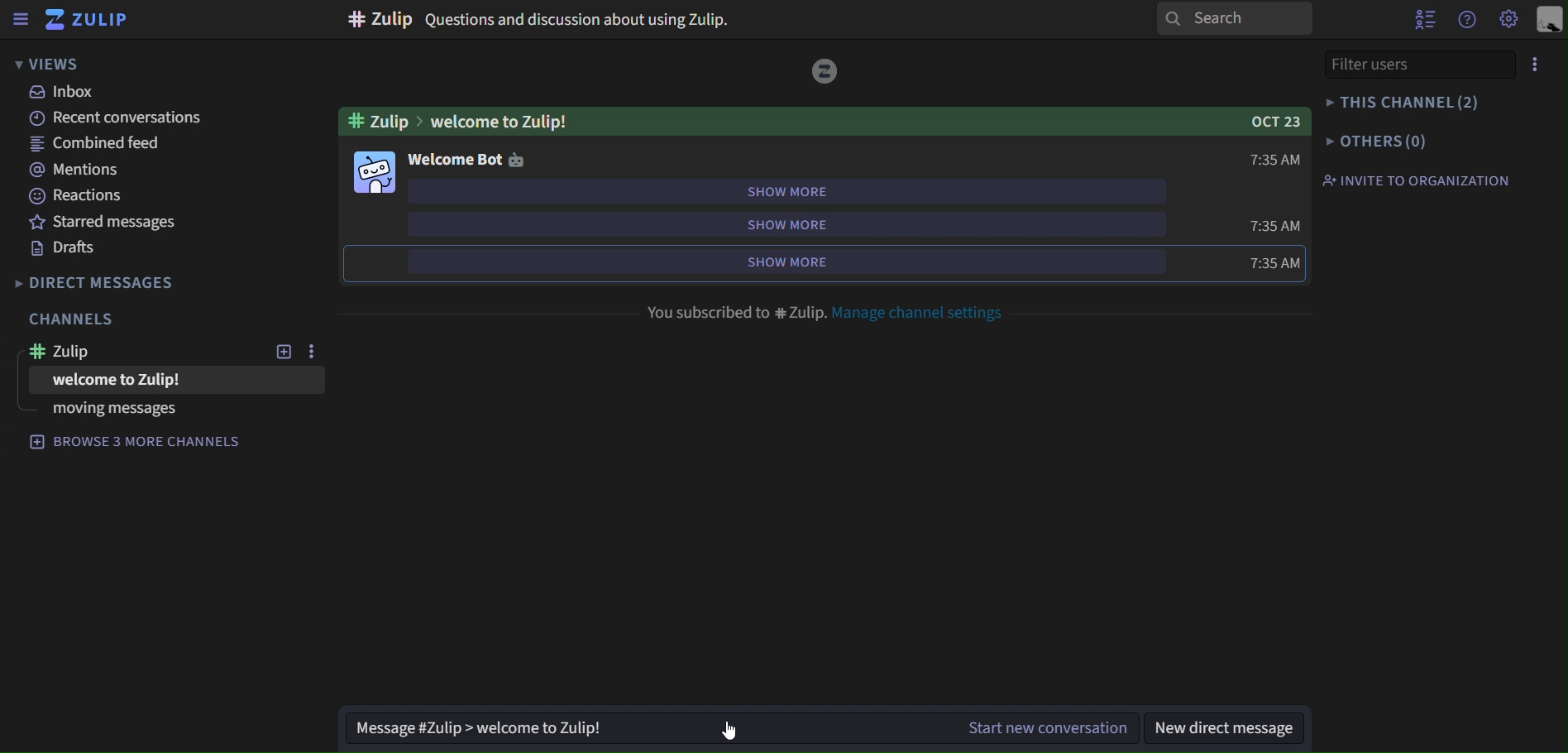  I want to click on 7:35 AM, so click(1278, 160).